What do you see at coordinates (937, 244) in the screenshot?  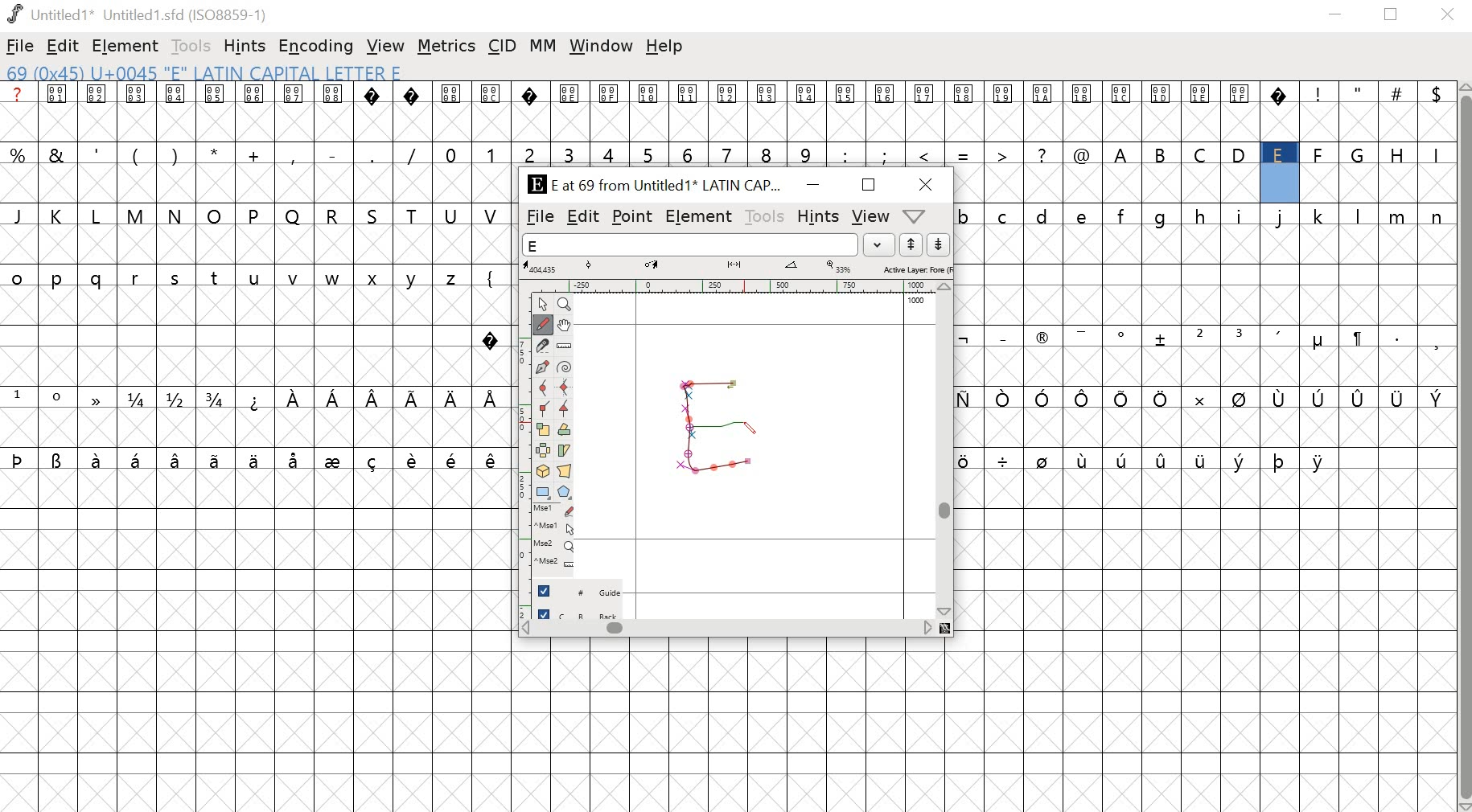 I see `down` at bounding box center [937, 244].